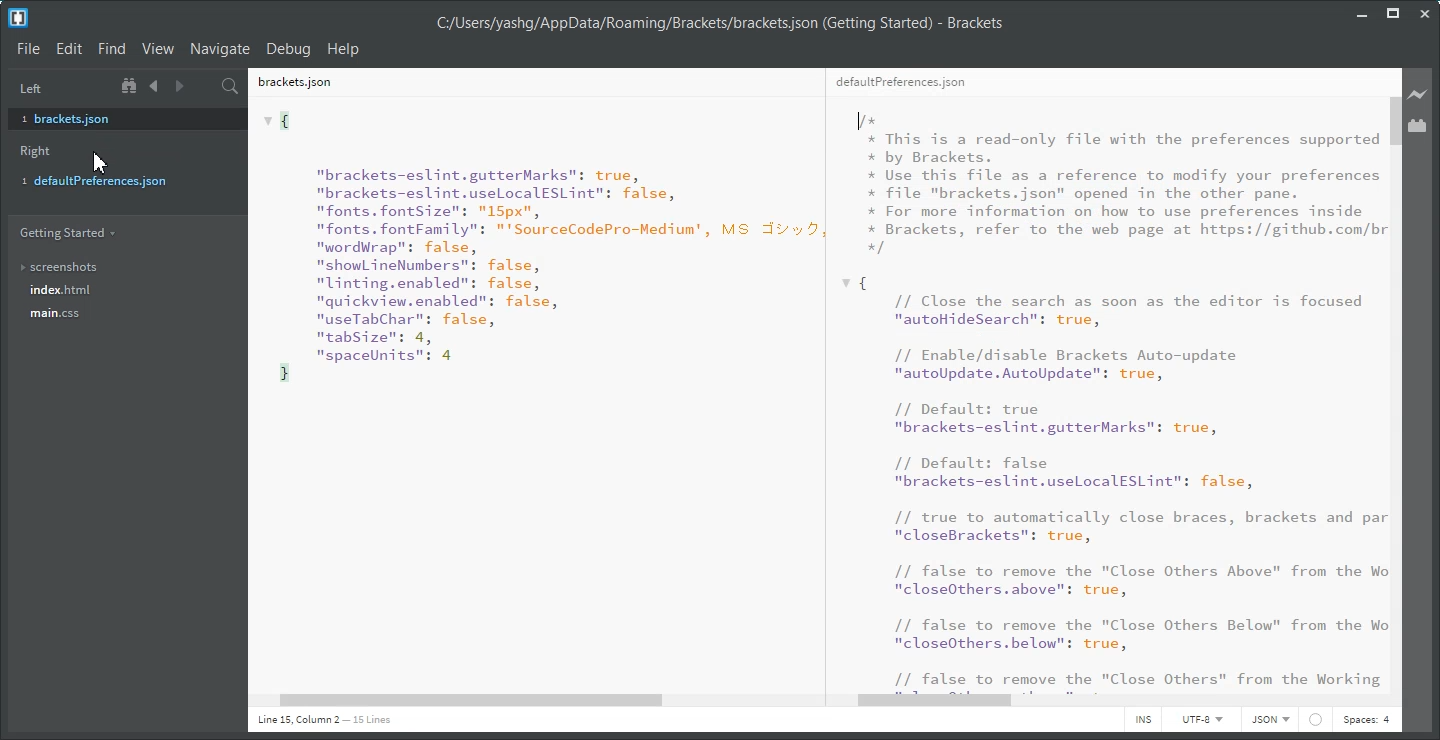  Describe the element at coordinates (539, 696) in the screenshot. I see `Horizontal scroll bar` at that location.